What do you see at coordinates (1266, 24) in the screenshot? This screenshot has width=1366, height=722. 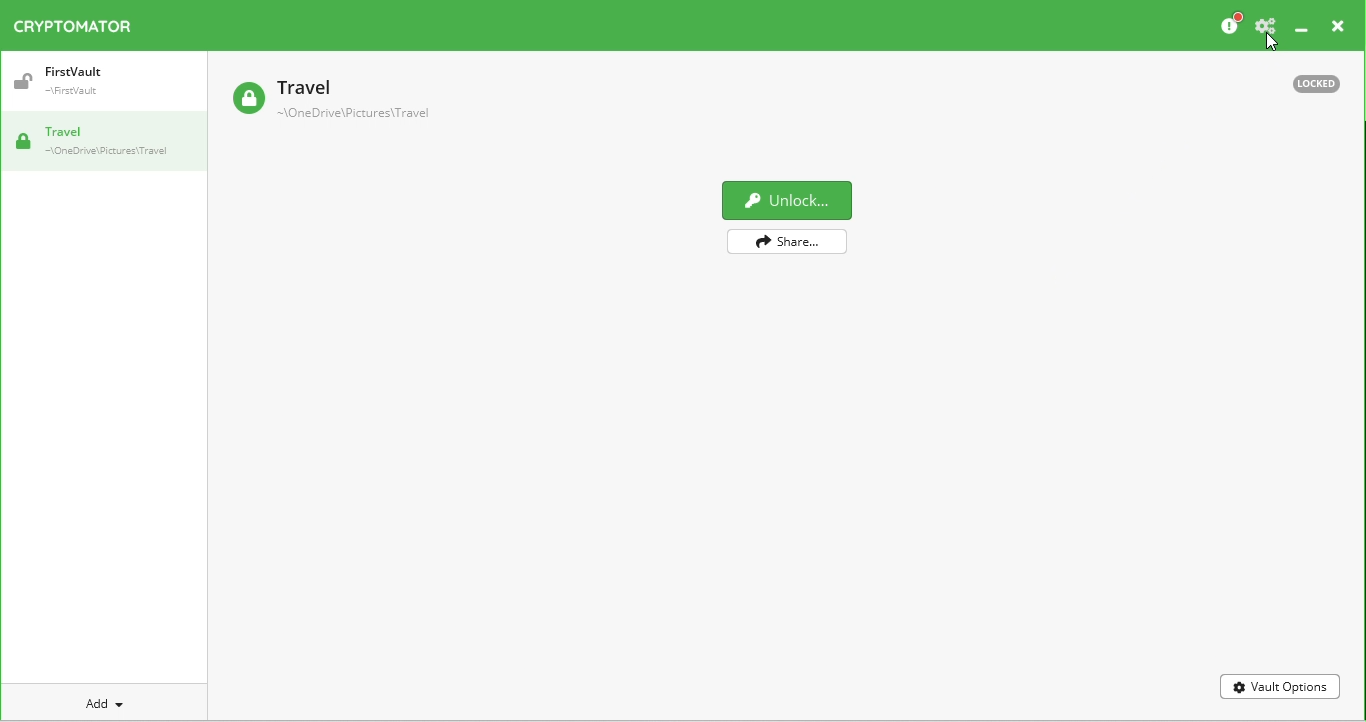 I see `Preferences` at bounding box center [1266, 24].